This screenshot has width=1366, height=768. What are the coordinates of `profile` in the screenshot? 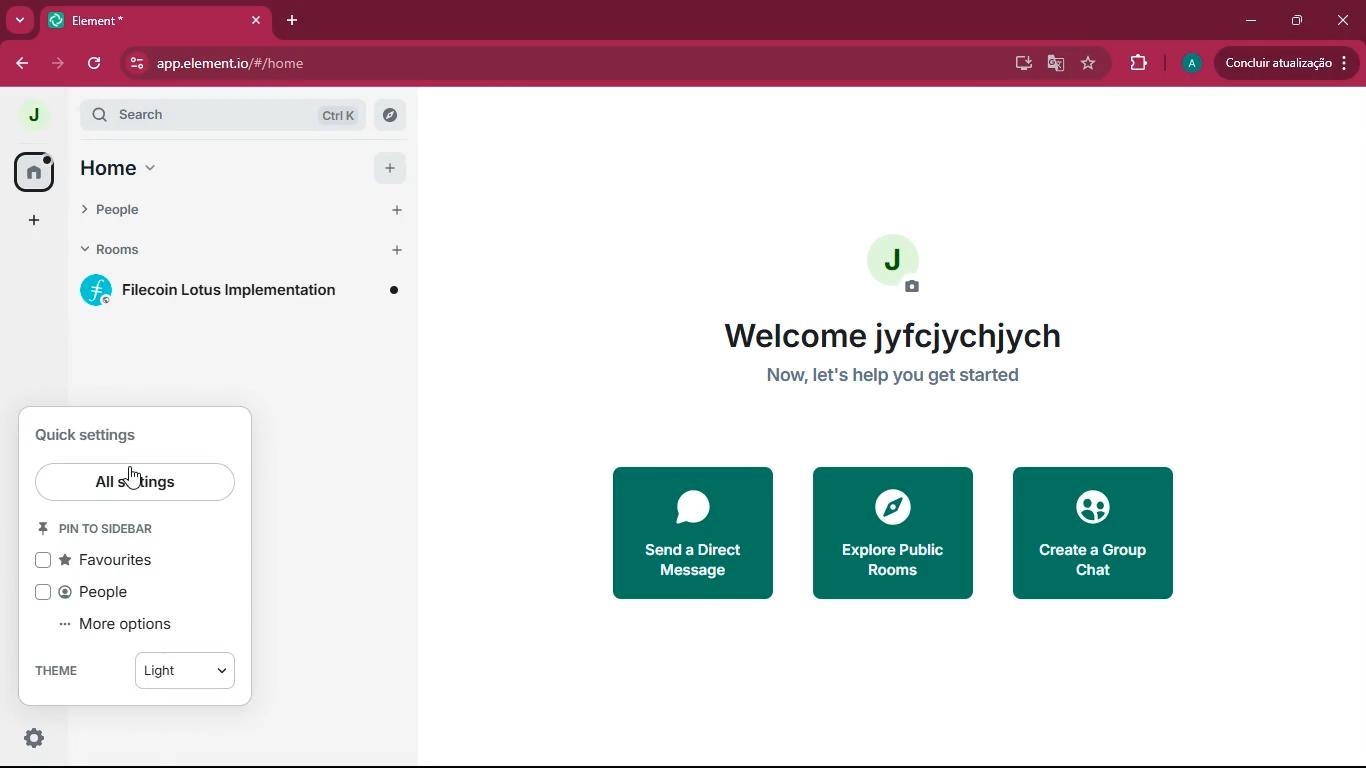 It's located at (1193, 63).